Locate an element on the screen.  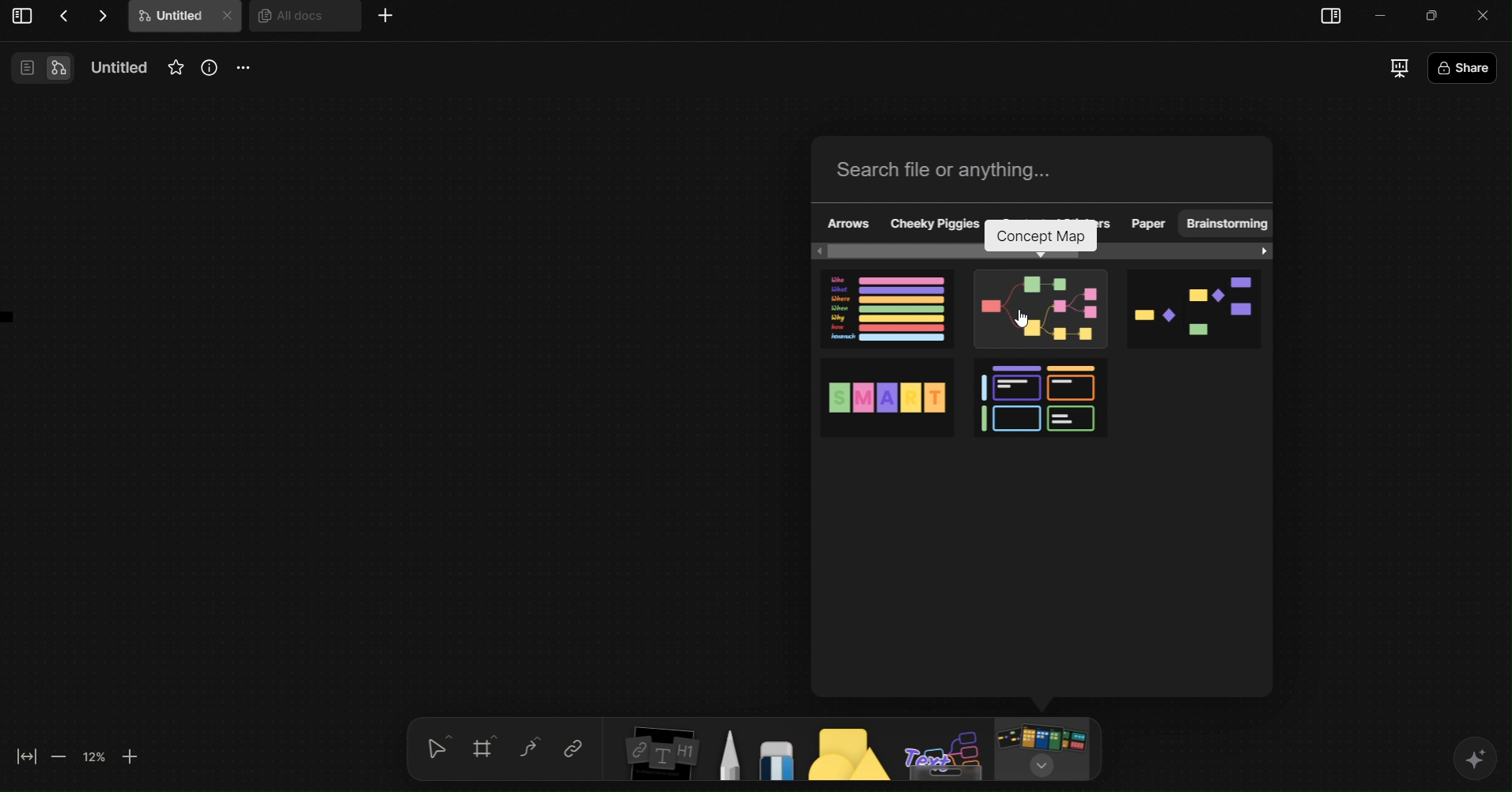
Text Board Tool is located at coordinates (944, 752).